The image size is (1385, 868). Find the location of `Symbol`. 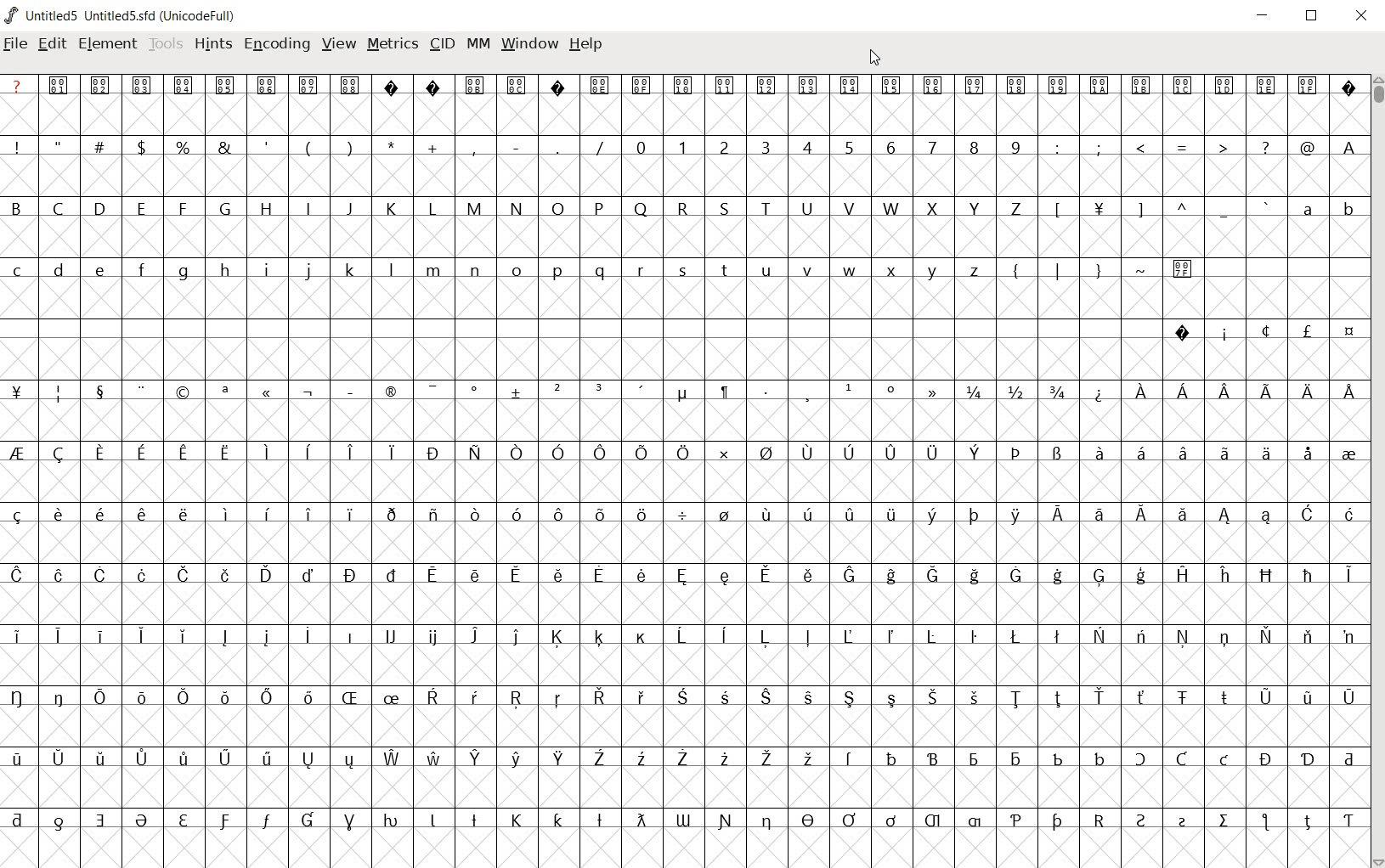

Symbol is located at coordinates (20, 759).